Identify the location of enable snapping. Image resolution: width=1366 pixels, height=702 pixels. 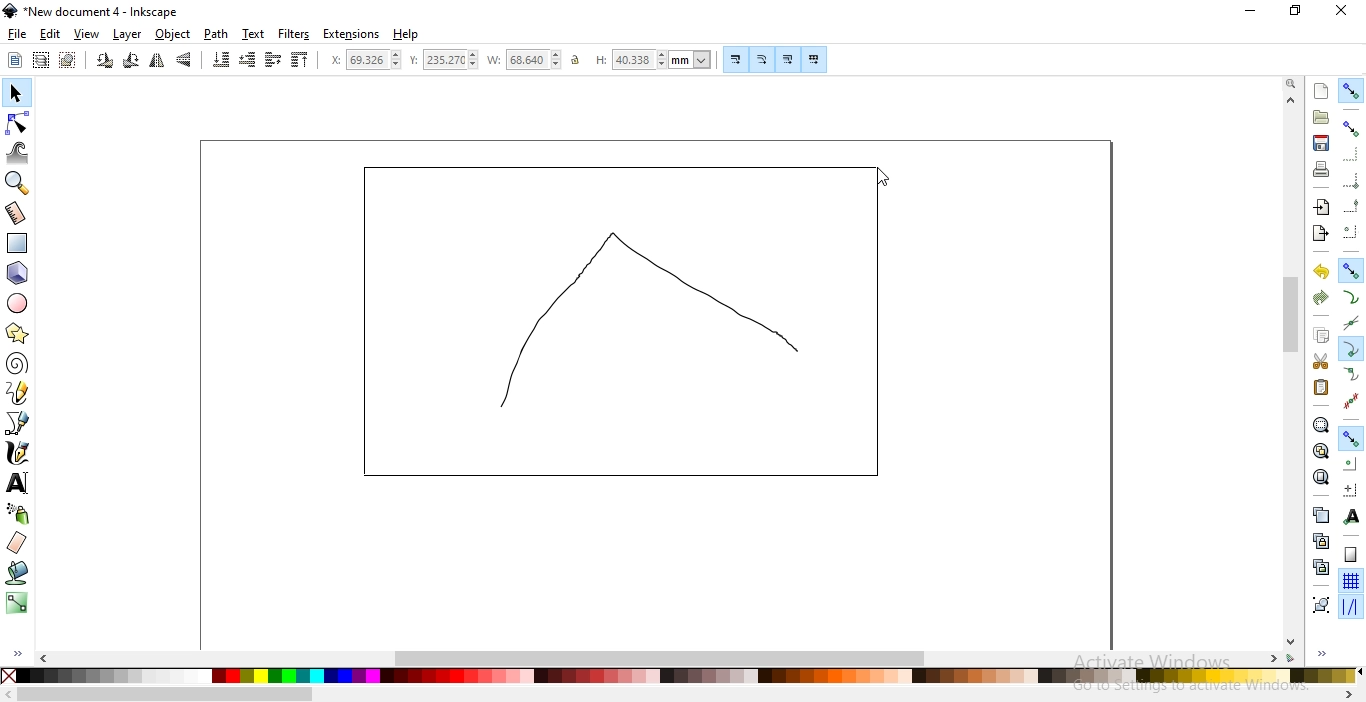
(1351, 91).